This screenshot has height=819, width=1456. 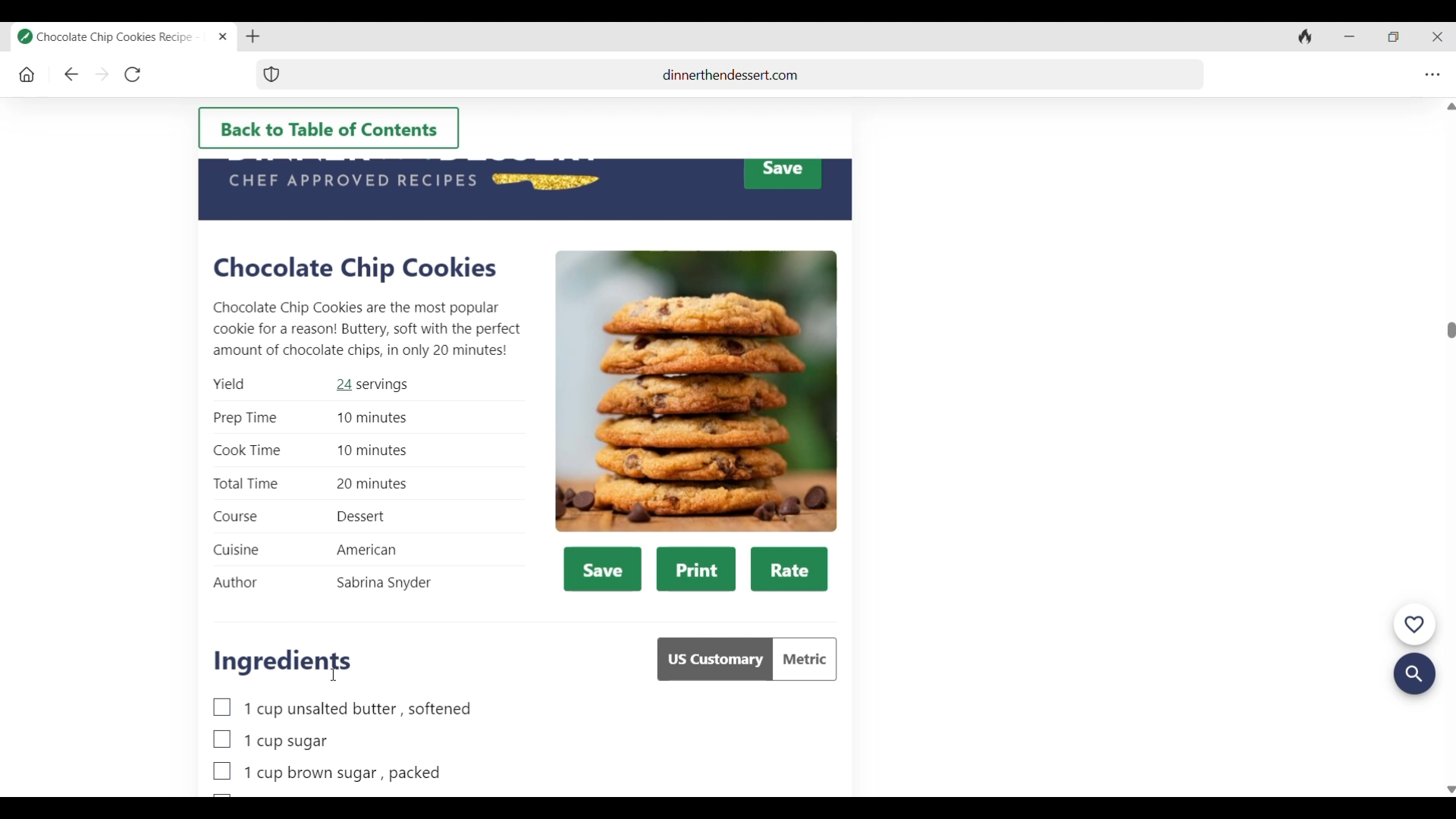 I want to click on Show interface in a smaller tab, so click(x=1391, y=38).